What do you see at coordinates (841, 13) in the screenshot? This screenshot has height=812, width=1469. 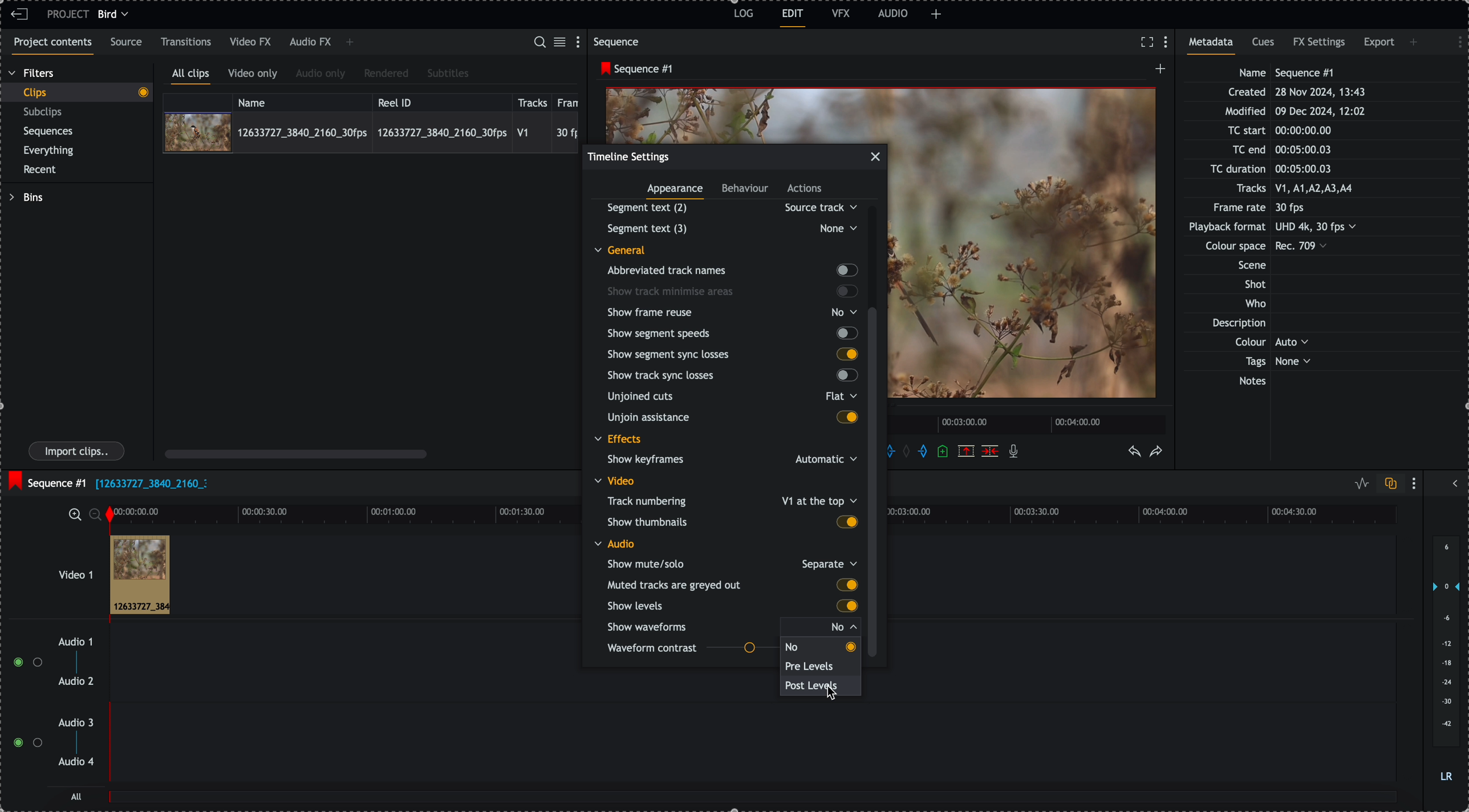 I see `VFX` at bounding box center [841, 13].